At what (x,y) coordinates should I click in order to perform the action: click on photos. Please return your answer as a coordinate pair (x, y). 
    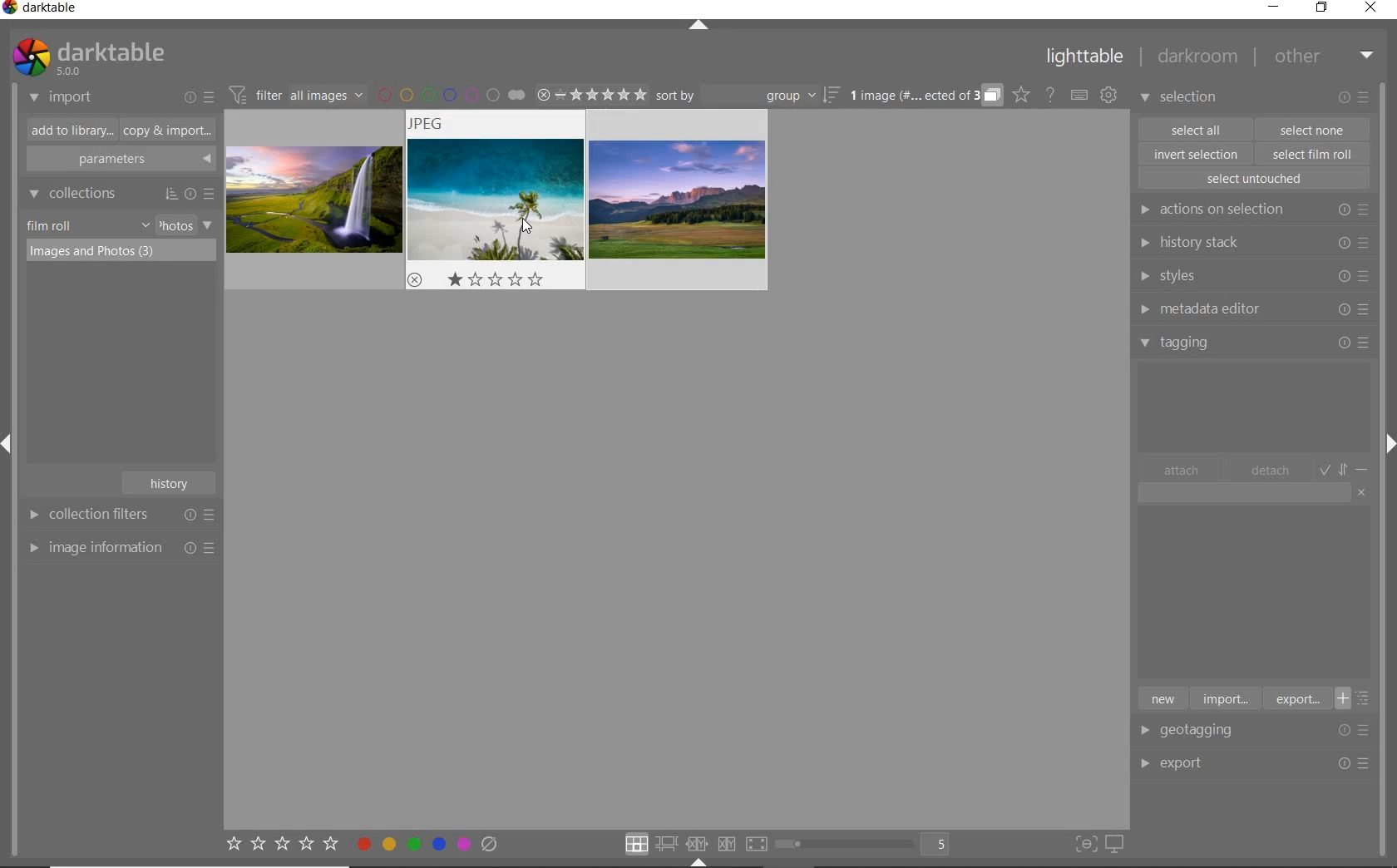
    Looking at the image, I should click on (175, 225).